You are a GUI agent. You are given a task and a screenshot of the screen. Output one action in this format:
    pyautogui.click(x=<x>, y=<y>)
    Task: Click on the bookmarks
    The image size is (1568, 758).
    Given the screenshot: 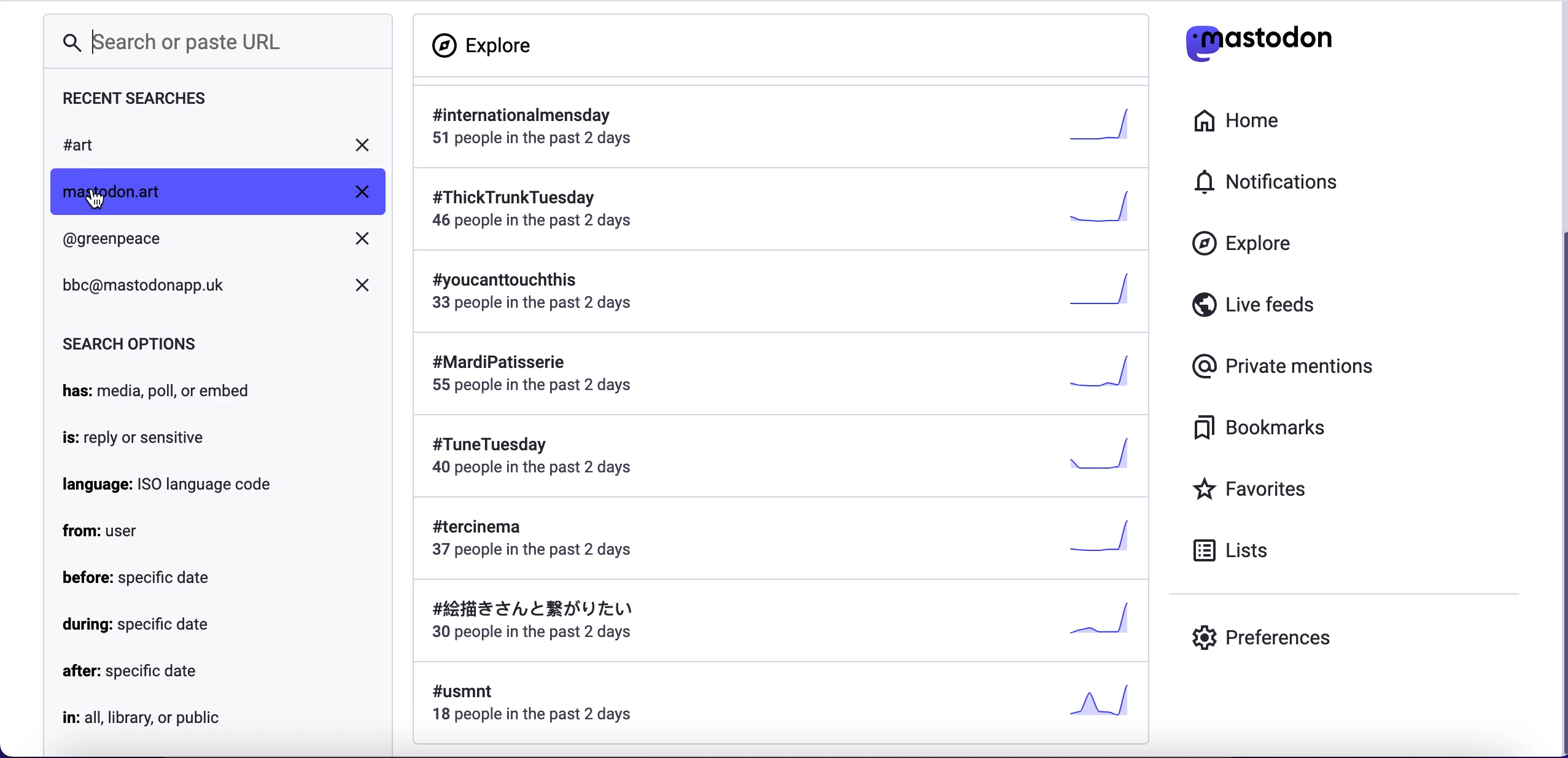 What is the action you would take?
    pyautogui.click(x=1262, y=428)
    